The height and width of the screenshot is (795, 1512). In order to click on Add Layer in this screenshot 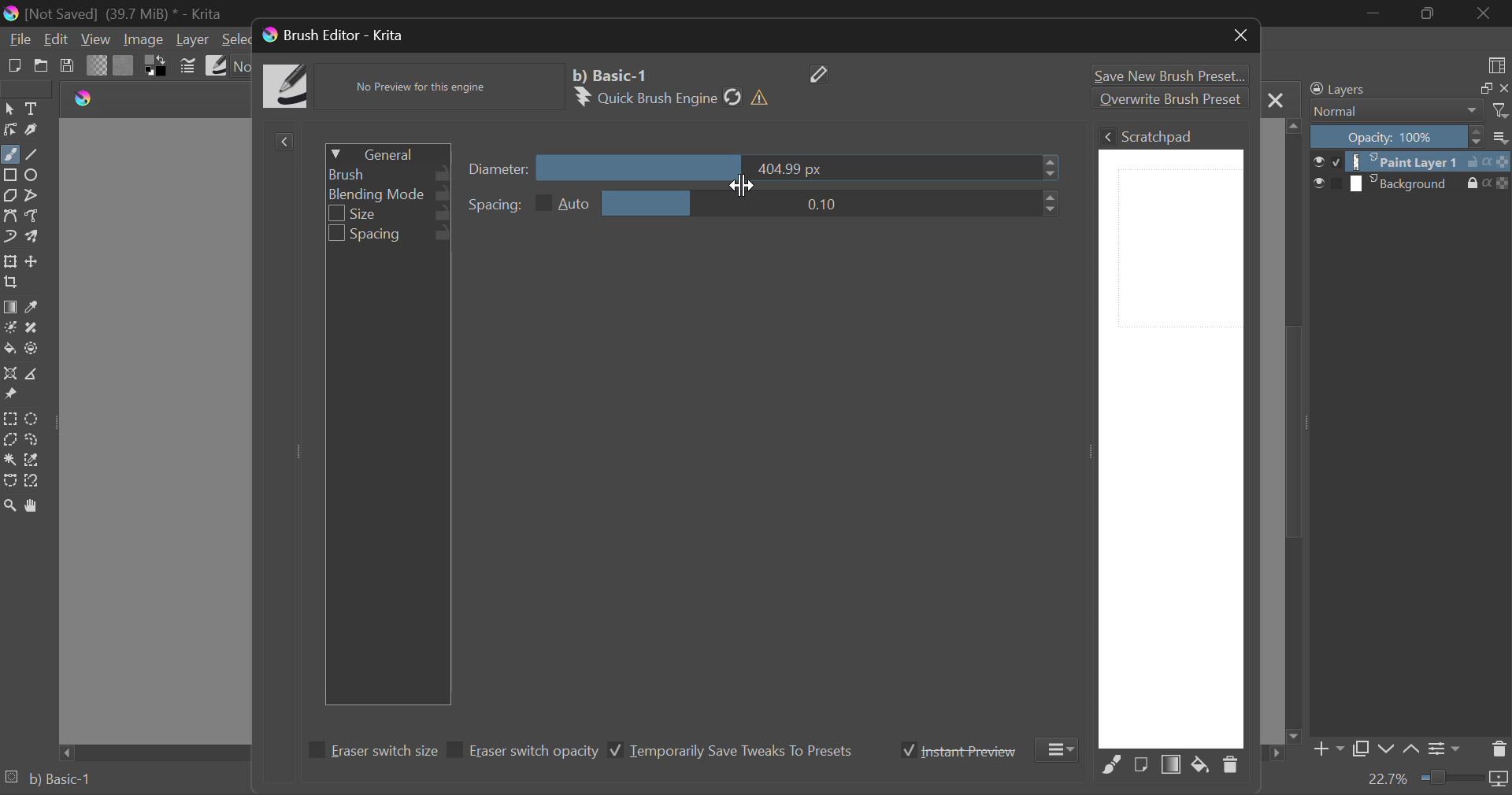, I will do `click(1328, 749)`.